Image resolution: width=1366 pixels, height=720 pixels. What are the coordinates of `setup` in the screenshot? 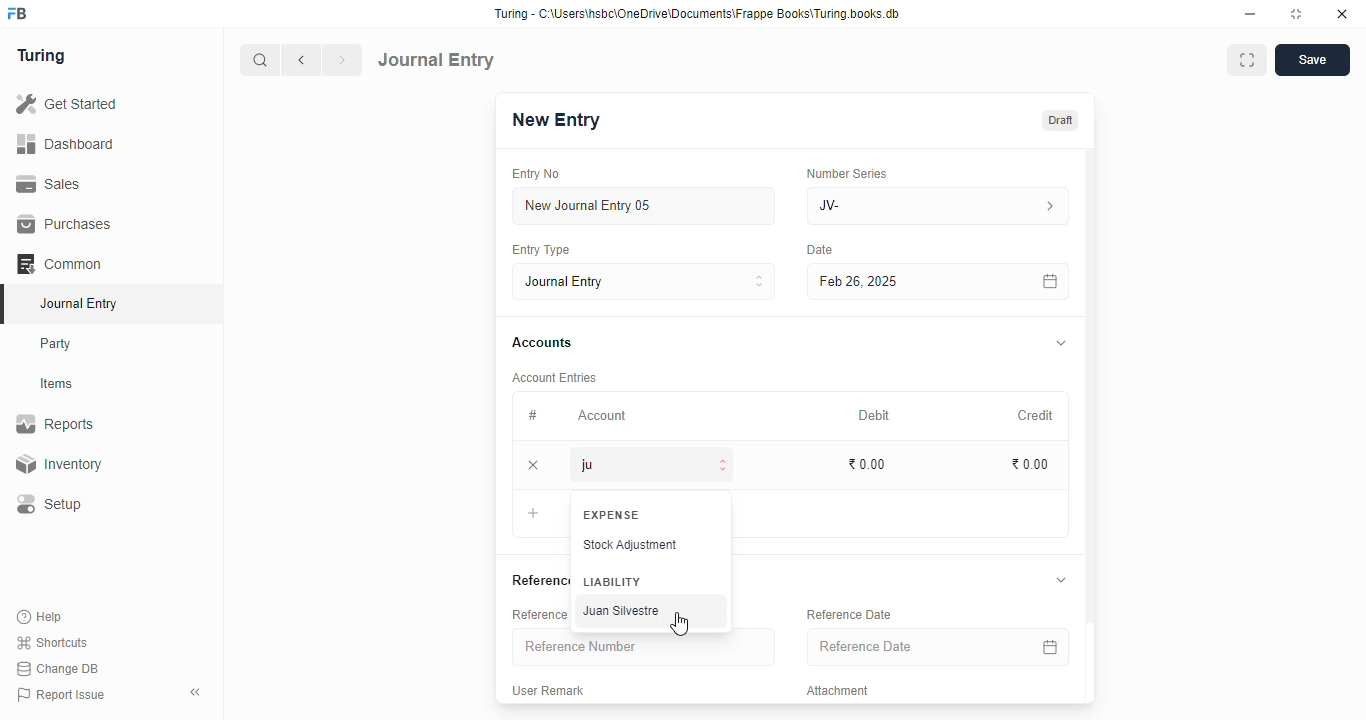 It's located at (51, 505).